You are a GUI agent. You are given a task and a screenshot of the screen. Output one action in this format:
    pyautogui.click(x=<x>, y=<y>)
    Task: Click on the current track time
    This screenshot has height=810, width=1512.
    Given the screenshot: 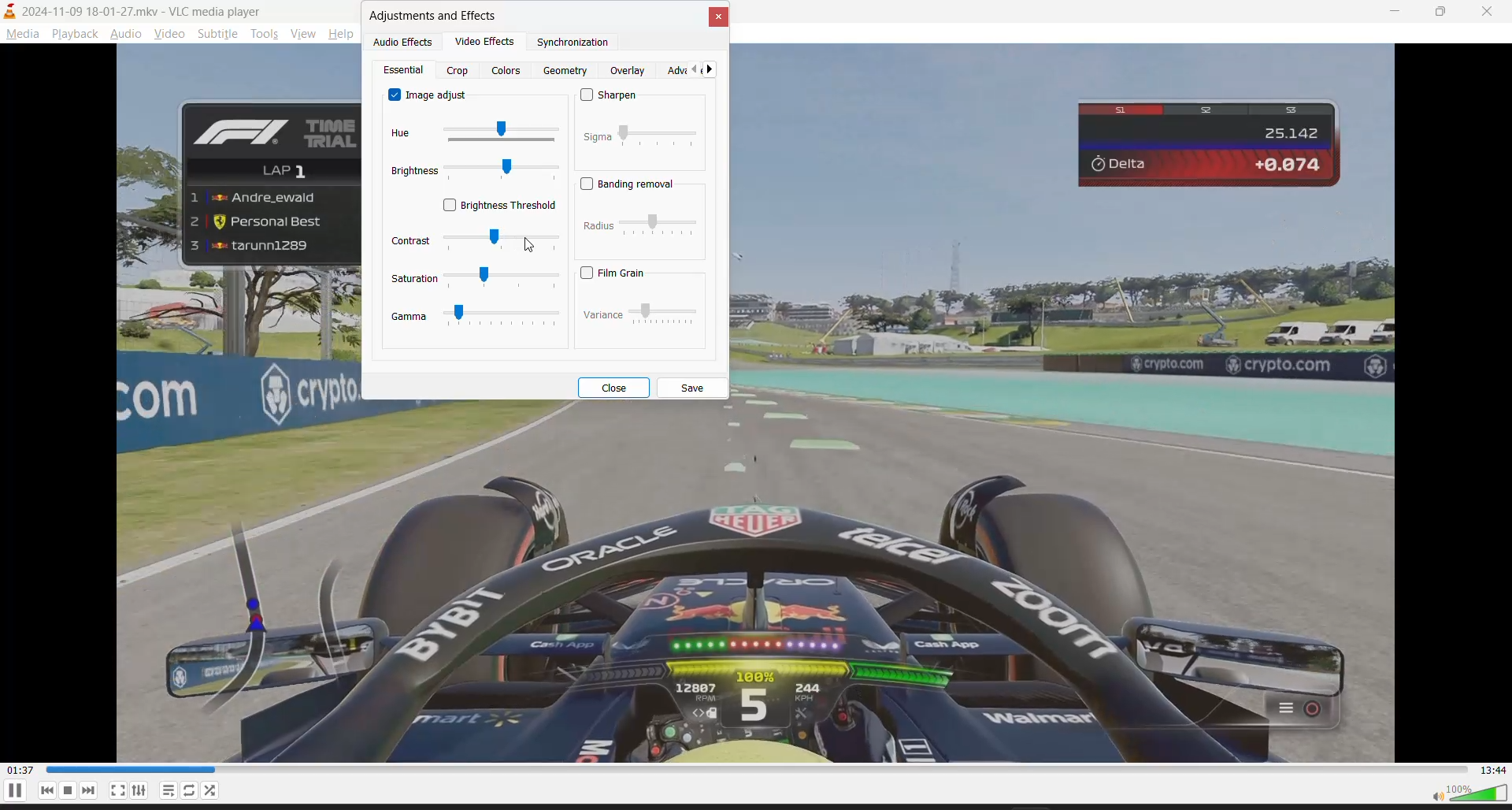 What is the action you would take?
    pyautogui.click(x=20, y=770)
    